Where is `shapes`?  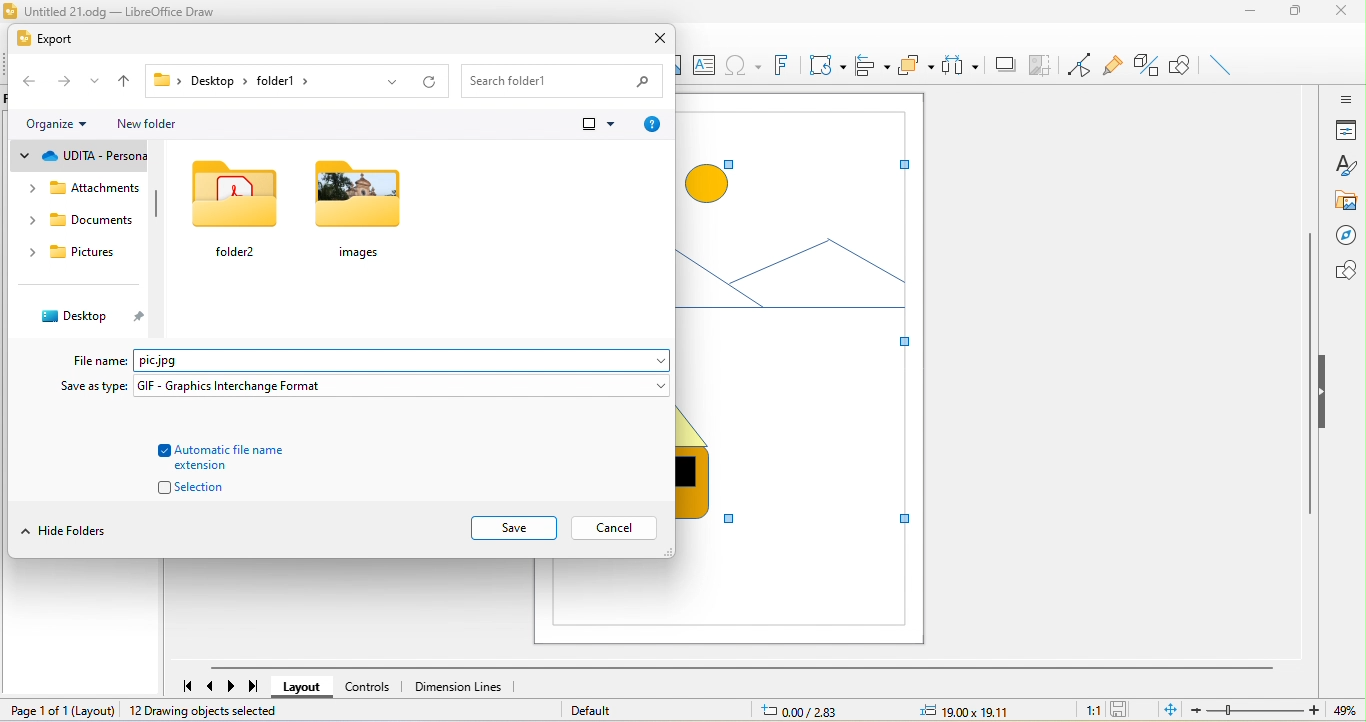 shapes is located at coordinates (1342, 271).